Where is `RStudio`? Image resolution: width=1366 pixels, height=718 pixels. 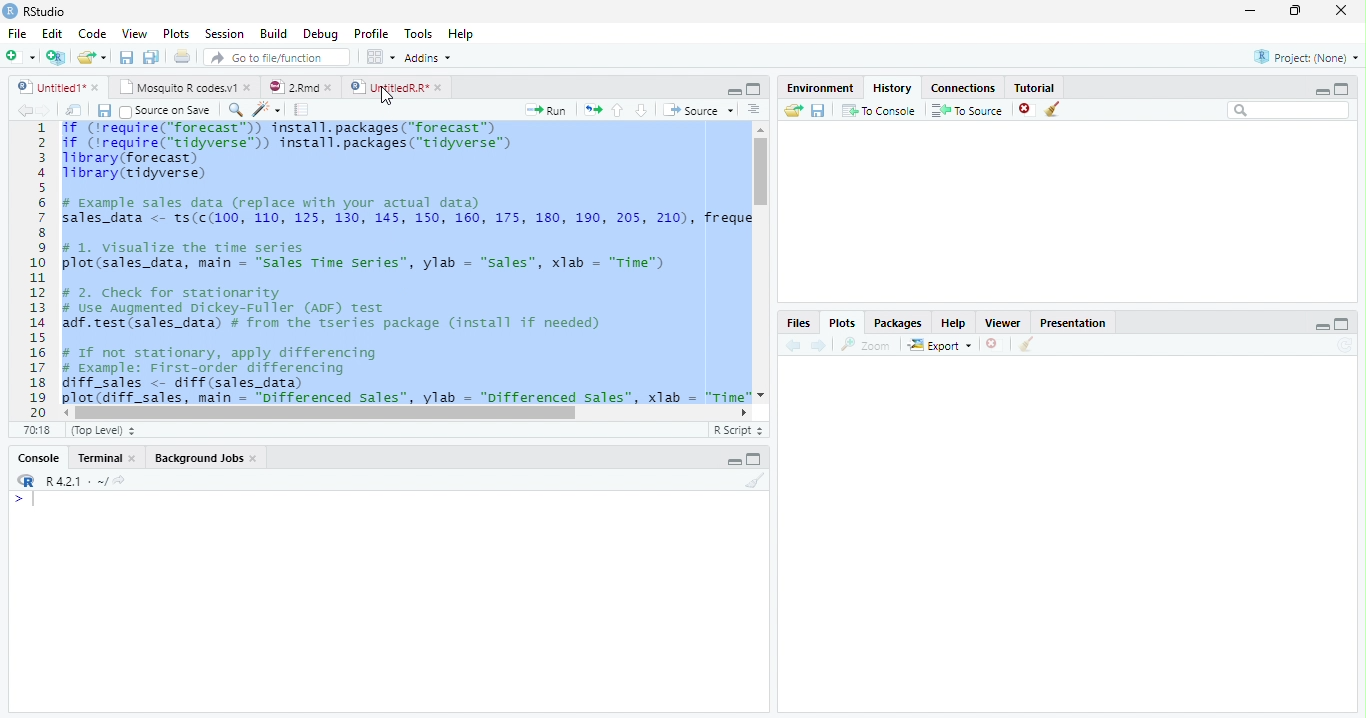
RStudio is located at coordinates (39, 12).